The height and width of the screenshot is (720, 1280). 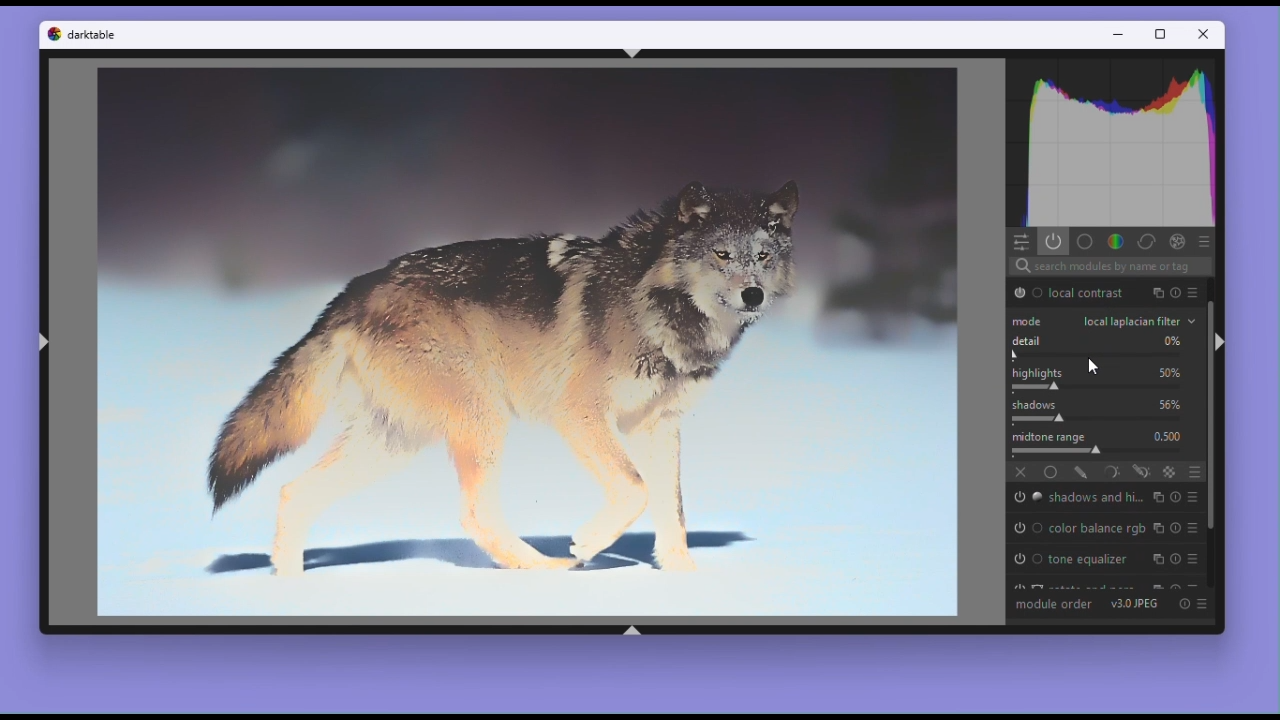 I want to click on Highlights, so click(x=1108, y=380).